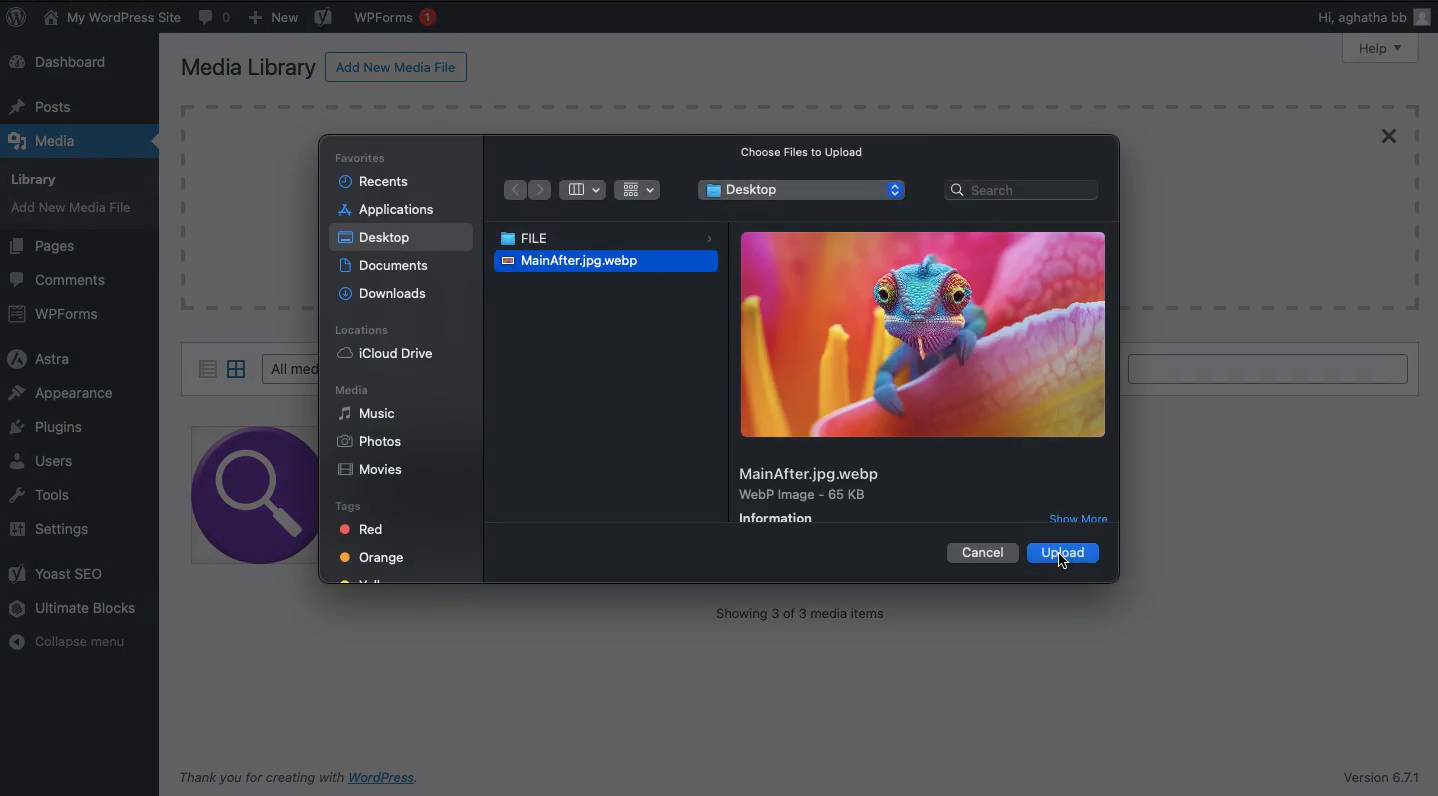 The height and width of the screenshot is (796, 1438). What do you see at coordinates (354, 389) in the screenshot?
I see `Media` at bounding box center [354, 389].